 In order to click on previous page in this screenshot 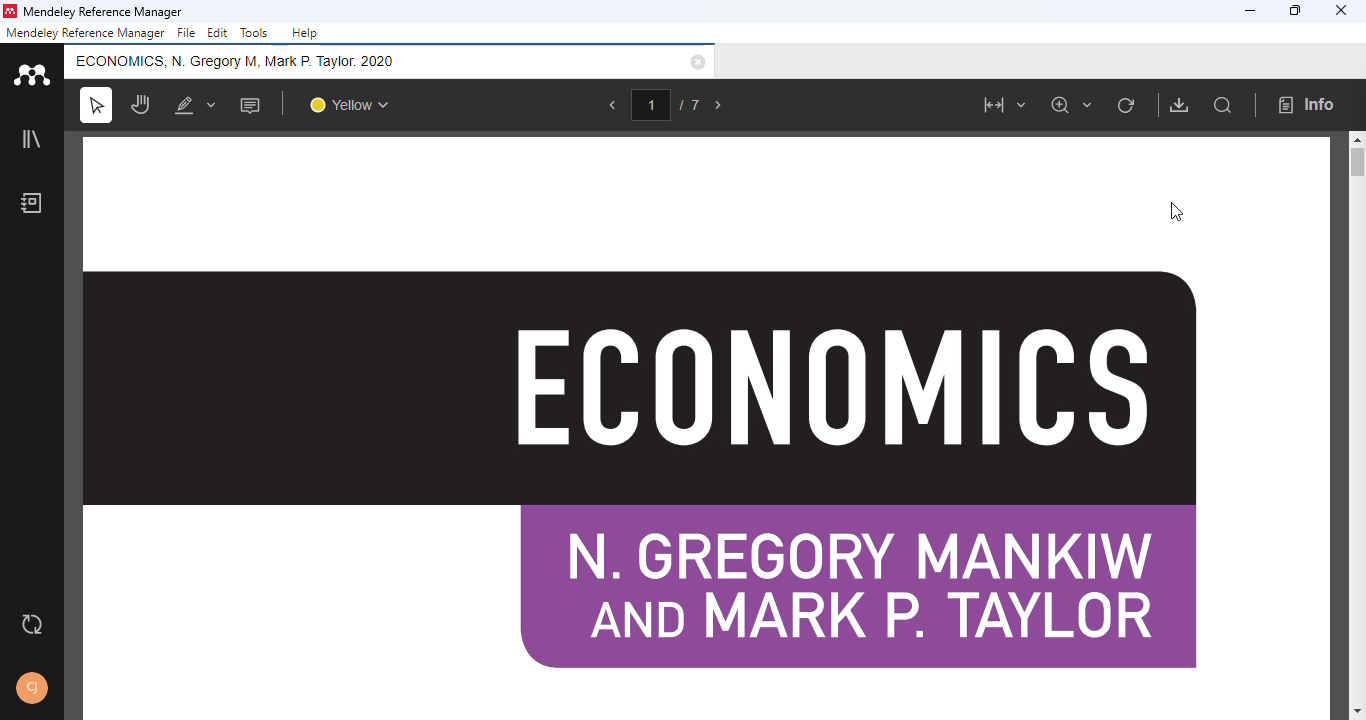, I will do `click(613, 105)`.